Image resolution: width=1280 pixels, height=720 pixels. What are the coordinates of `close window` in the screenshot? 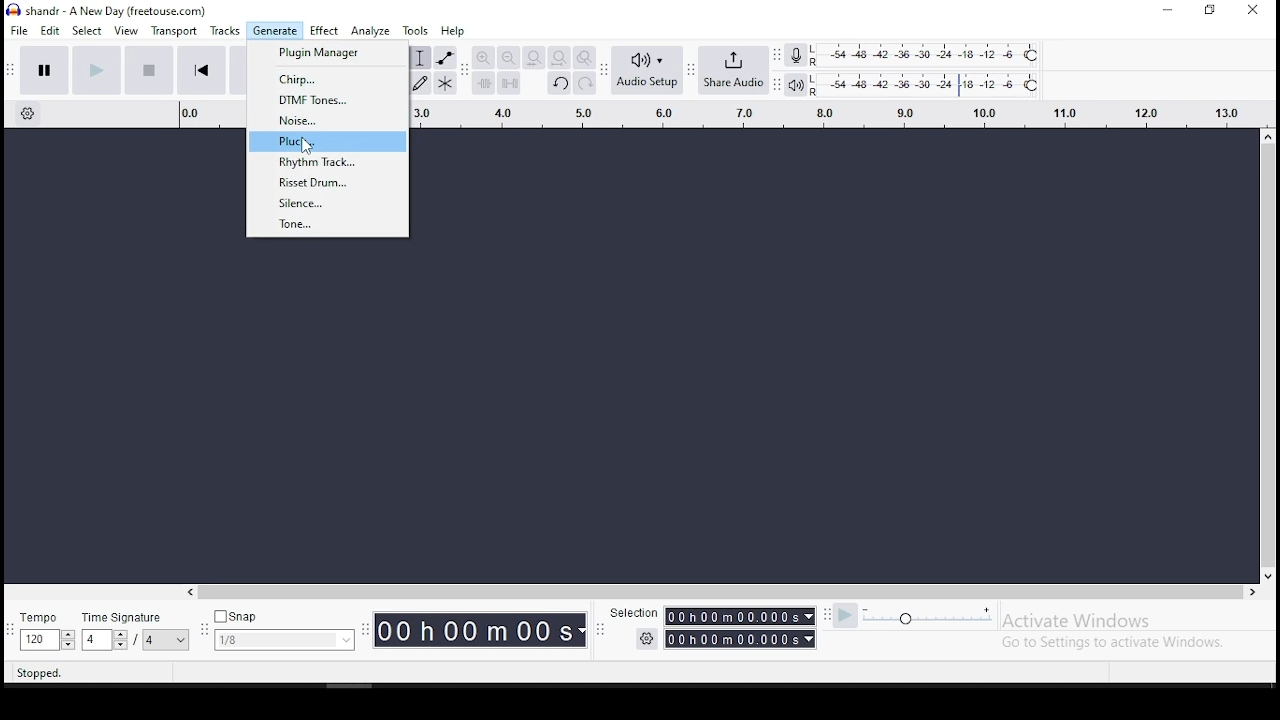 It's located at (1252, 11).